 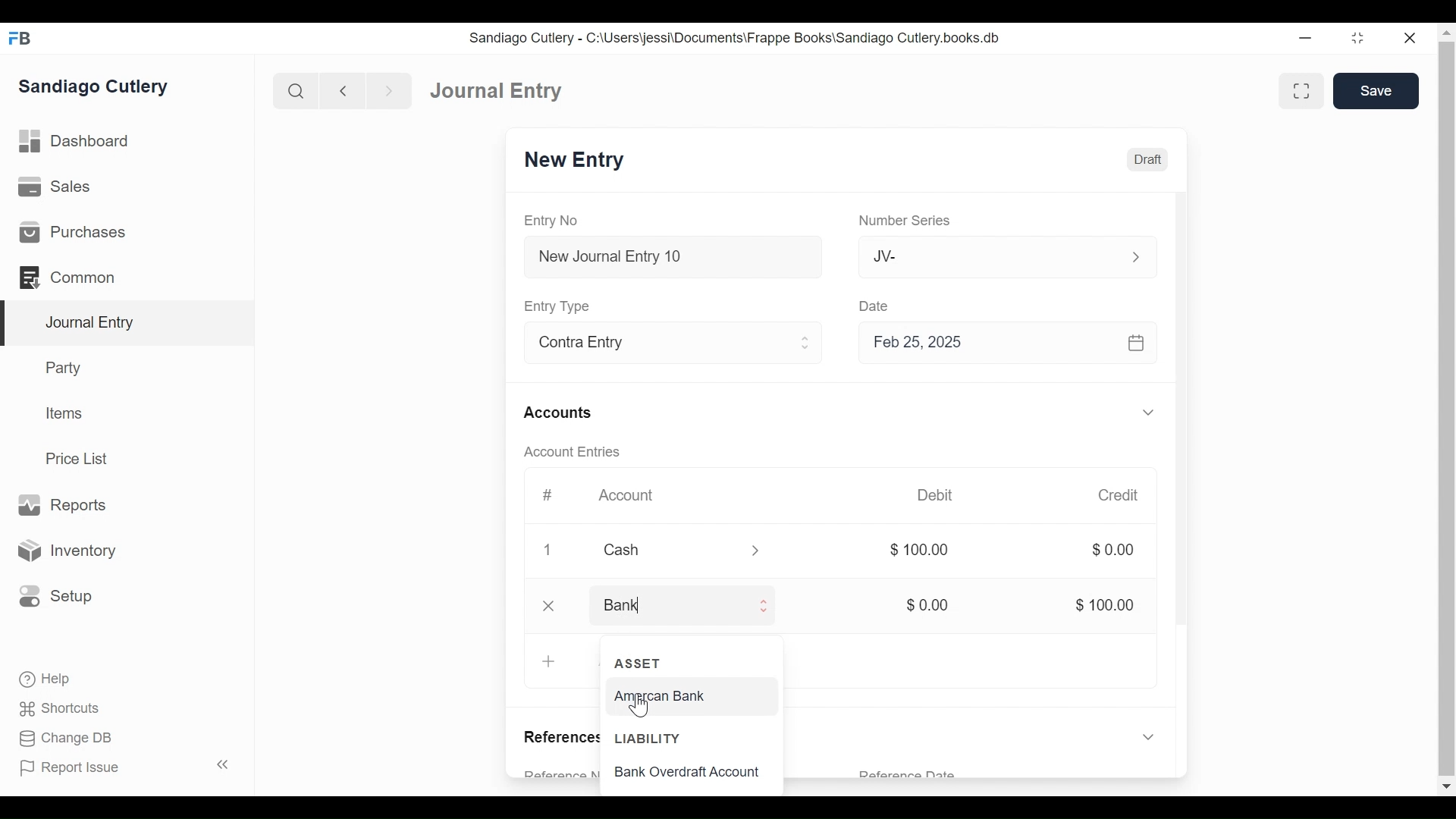 I want to click on $100.00, so click(x=921, y=549).